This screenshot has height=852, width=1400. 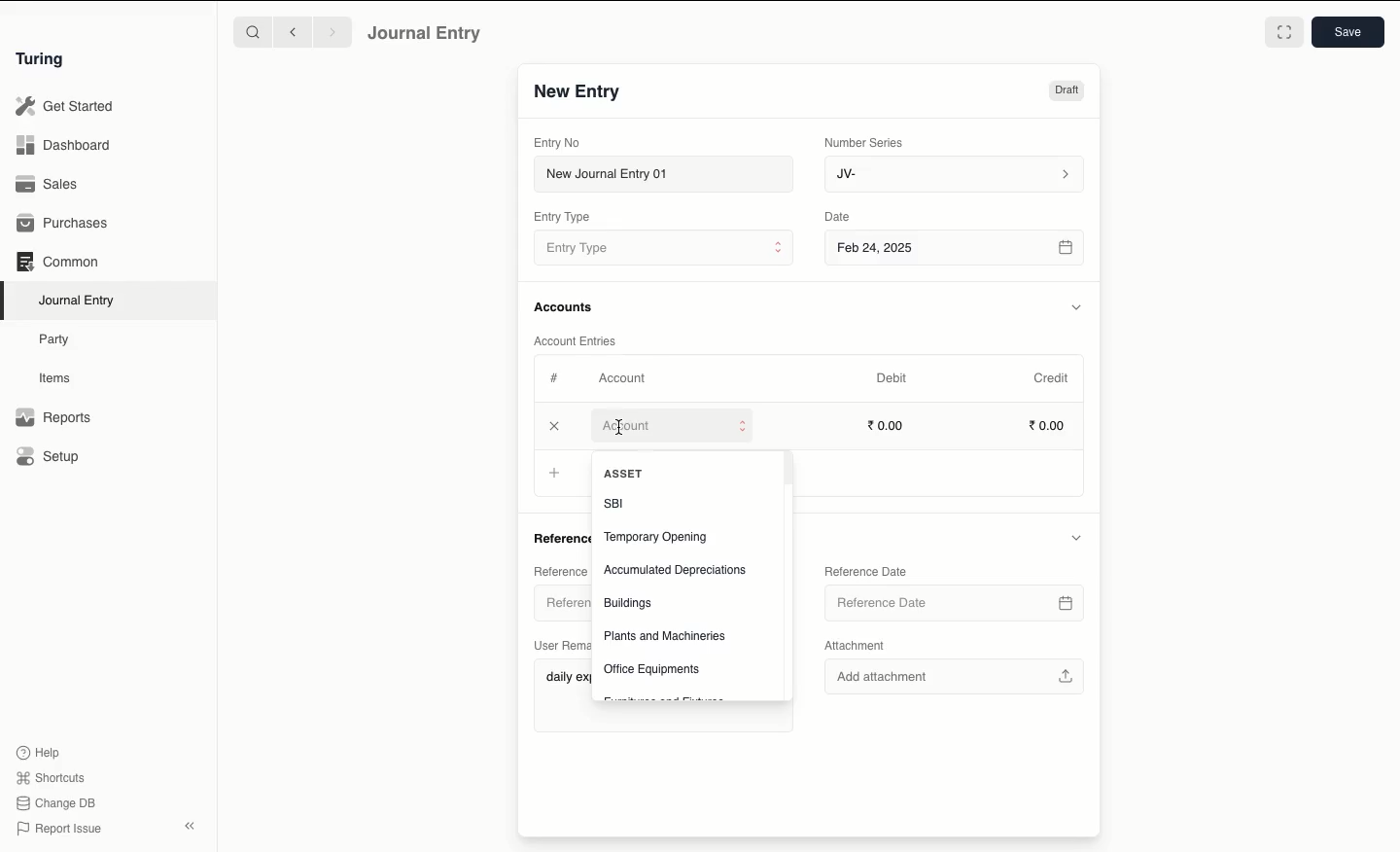 What do you see at coordinates (1048, 423) in the screenshot?
I see `0.00` at bounding box center [1048, 423].